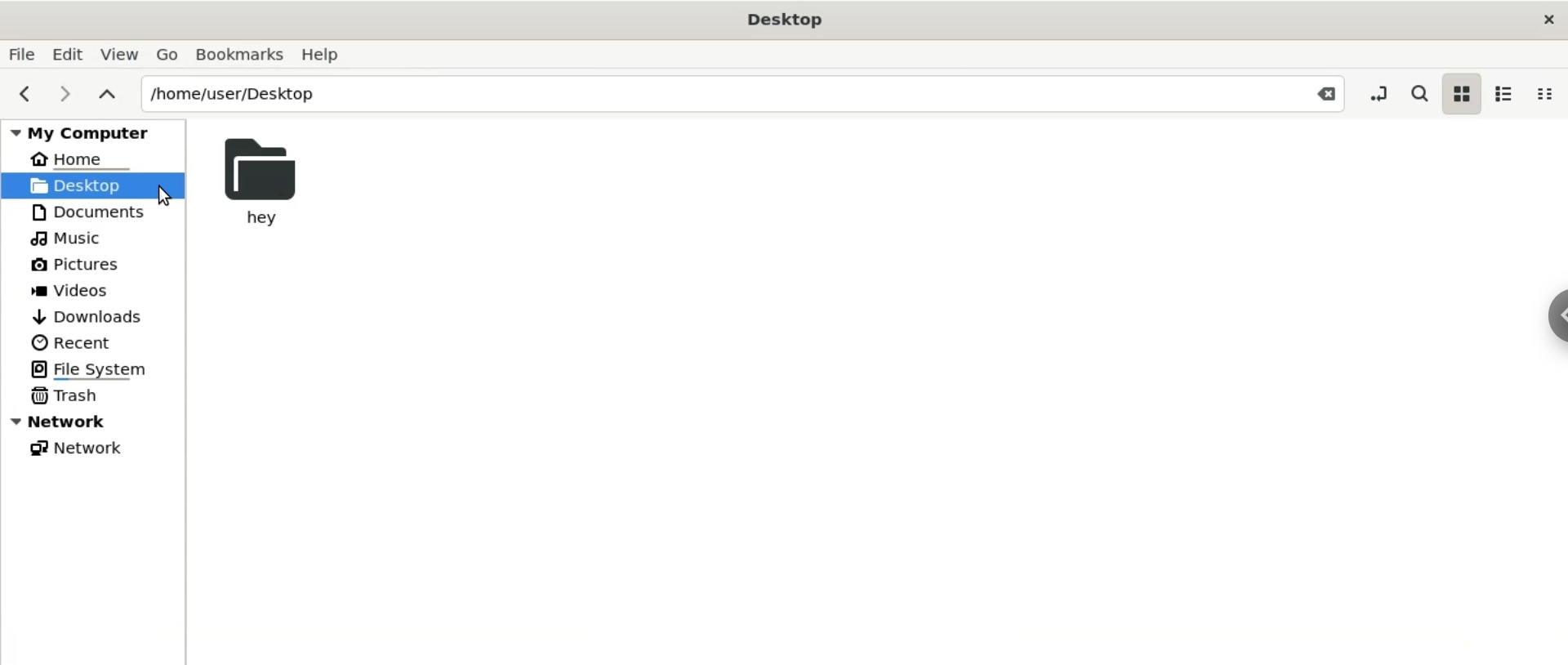 Image resolution: width=1568 pixels, height=665 pixels. What do you see at coordinates (79, 263) in the screenshot?
I see `Pictures` at bounding box center [79, 263].